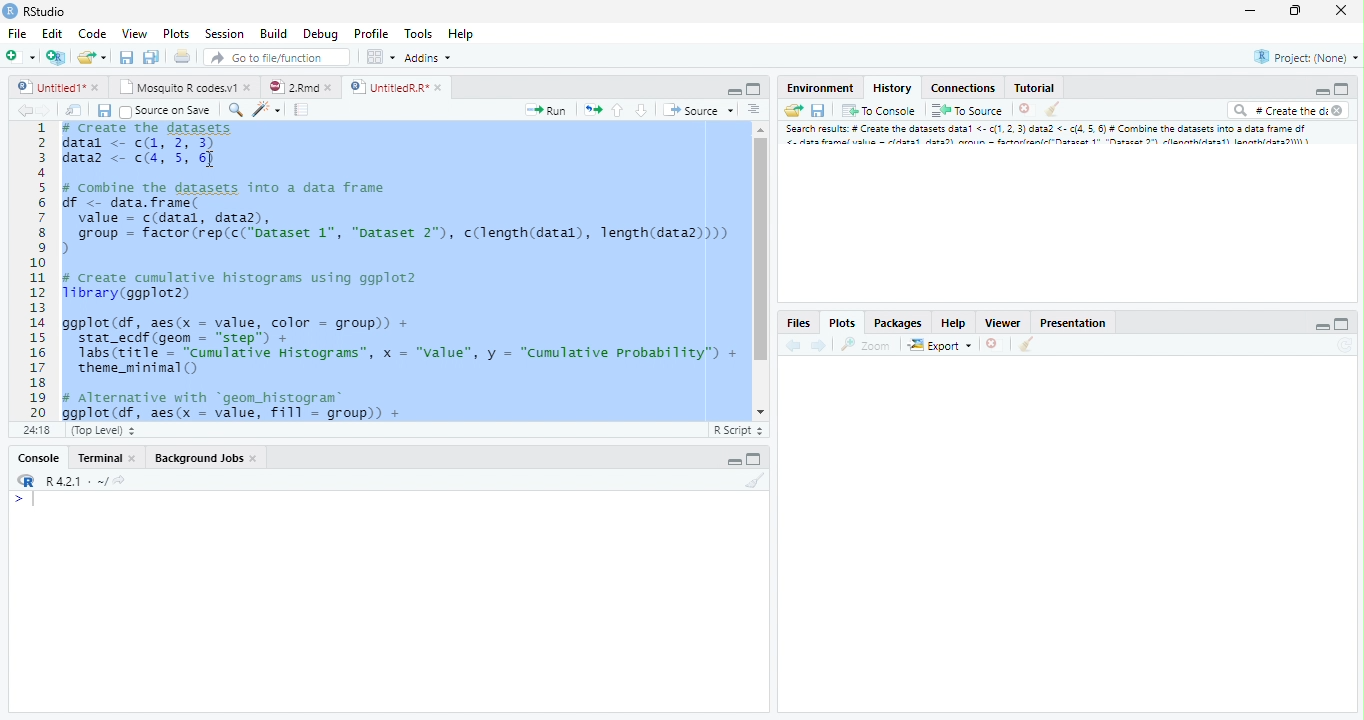  I want to click on Minimize, so click(1321, 92).